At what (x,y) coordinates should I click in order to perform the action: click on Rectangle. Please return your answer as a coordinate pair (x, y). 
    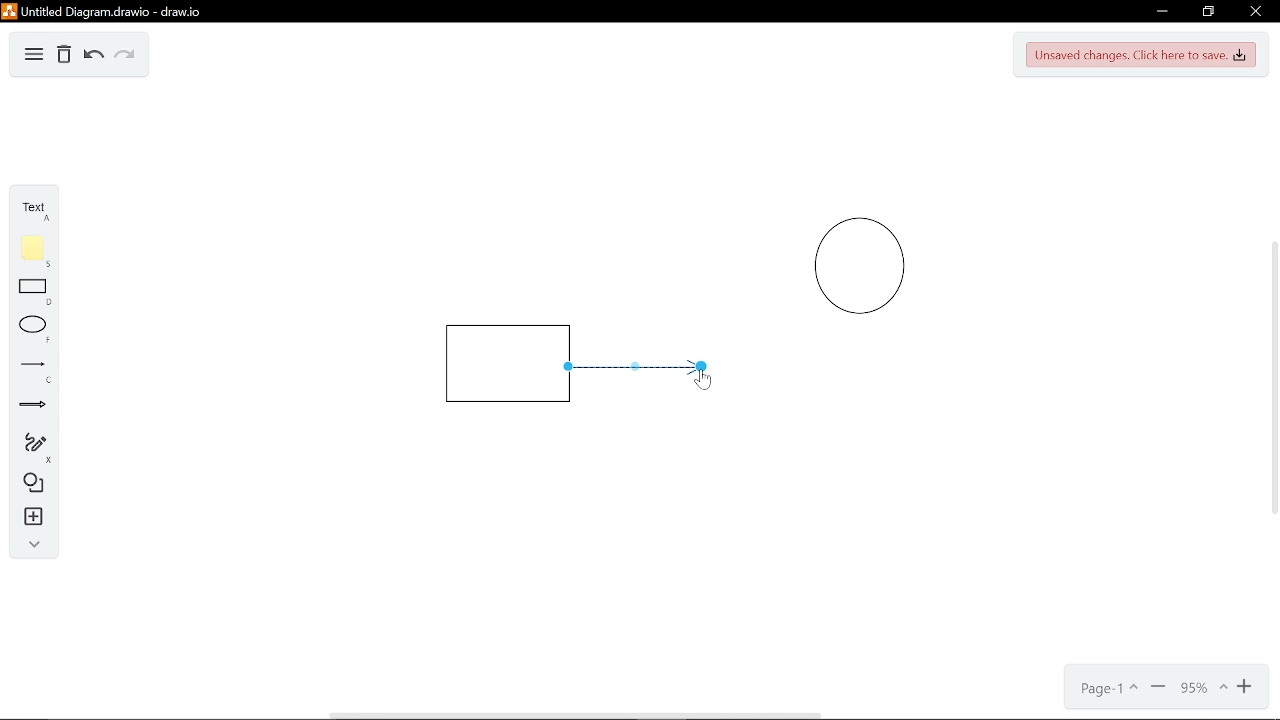
    Looking at the image, I should click on (479, 363).